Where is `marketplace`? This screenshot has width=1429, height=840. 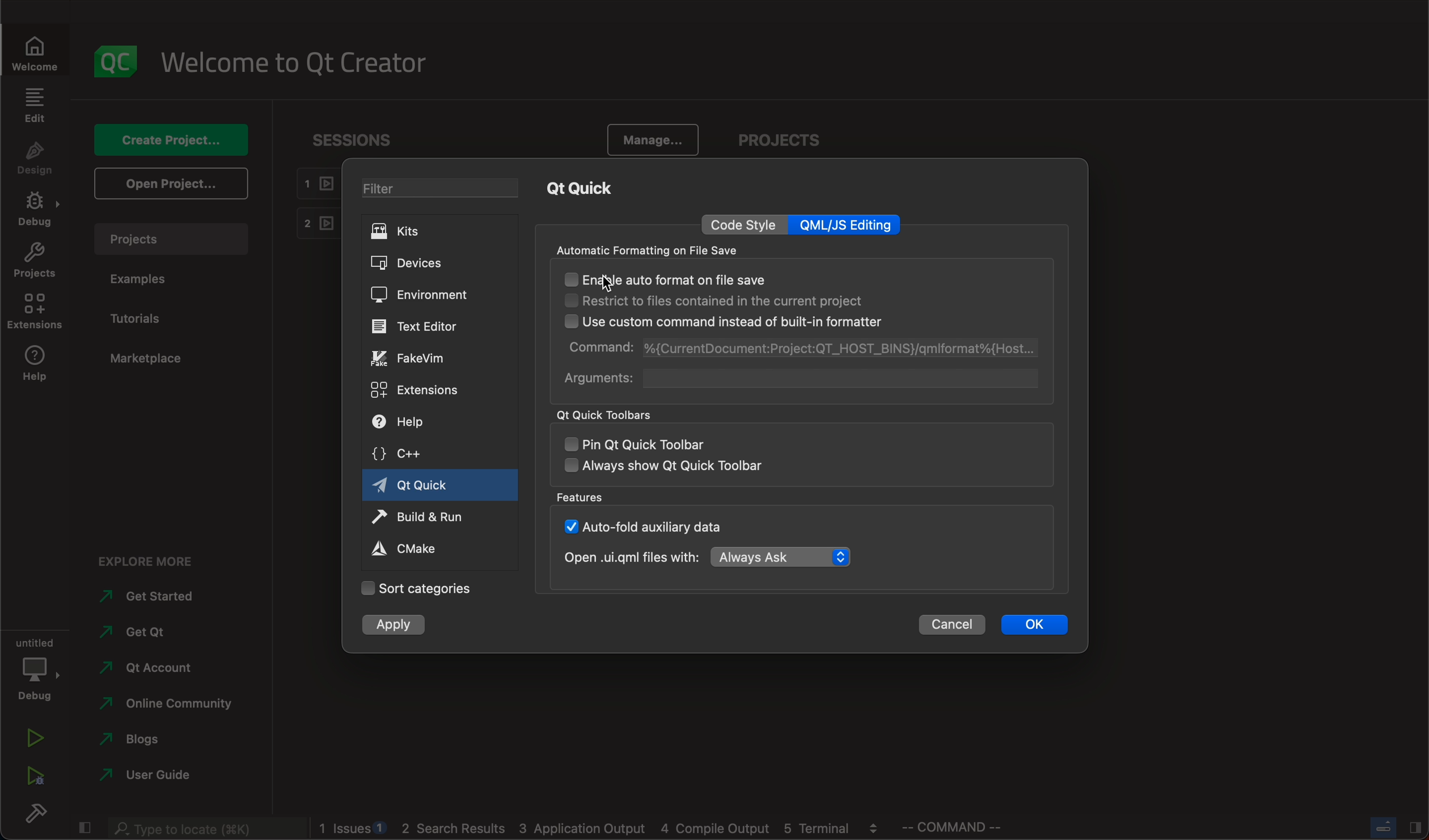 marketplace is located at coordinates (166, 358).